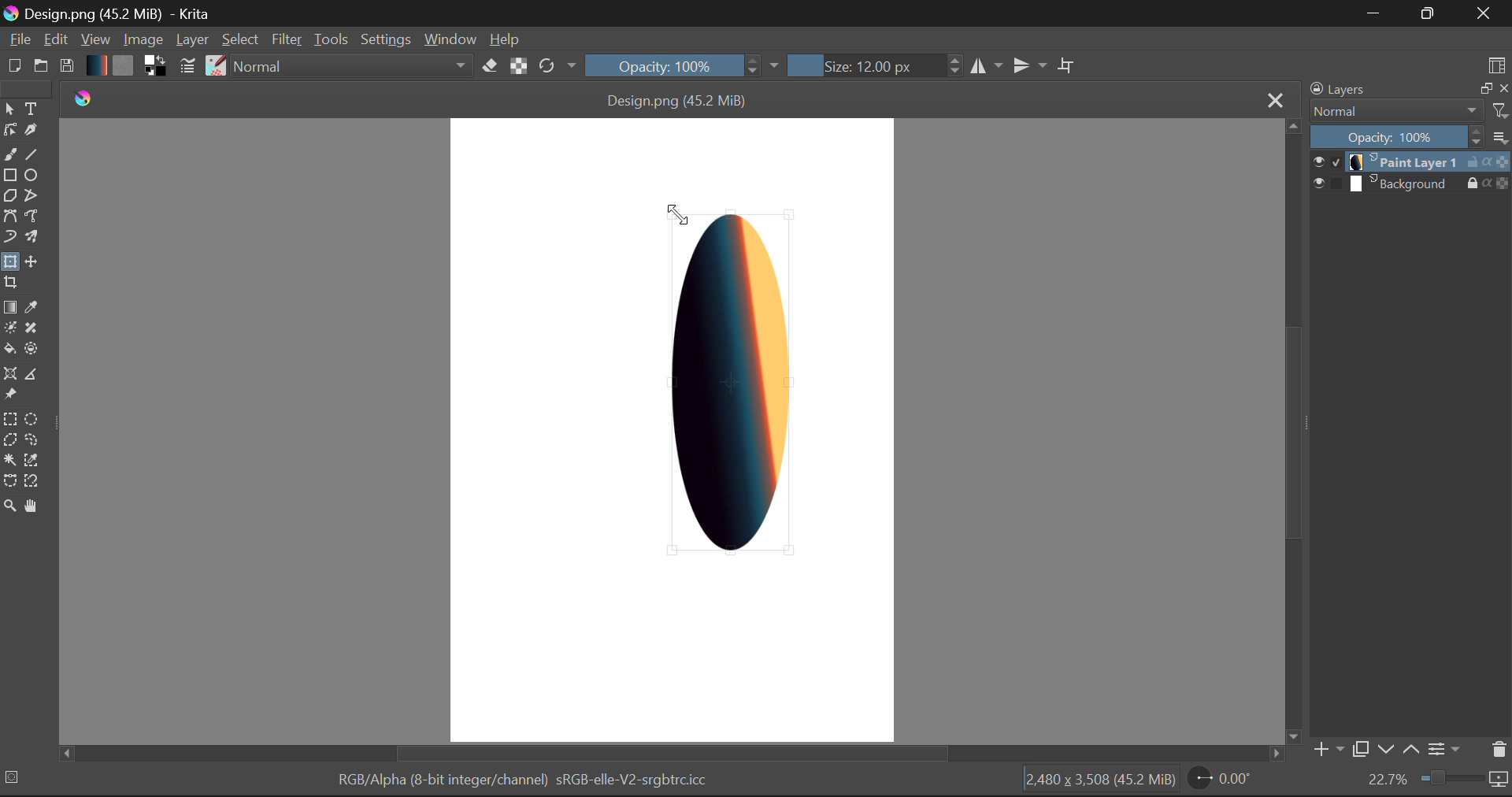 Image resolution: width=1512 pixels, height=797 pixels. I want to click on Page Rotation, so click(1218, 780).